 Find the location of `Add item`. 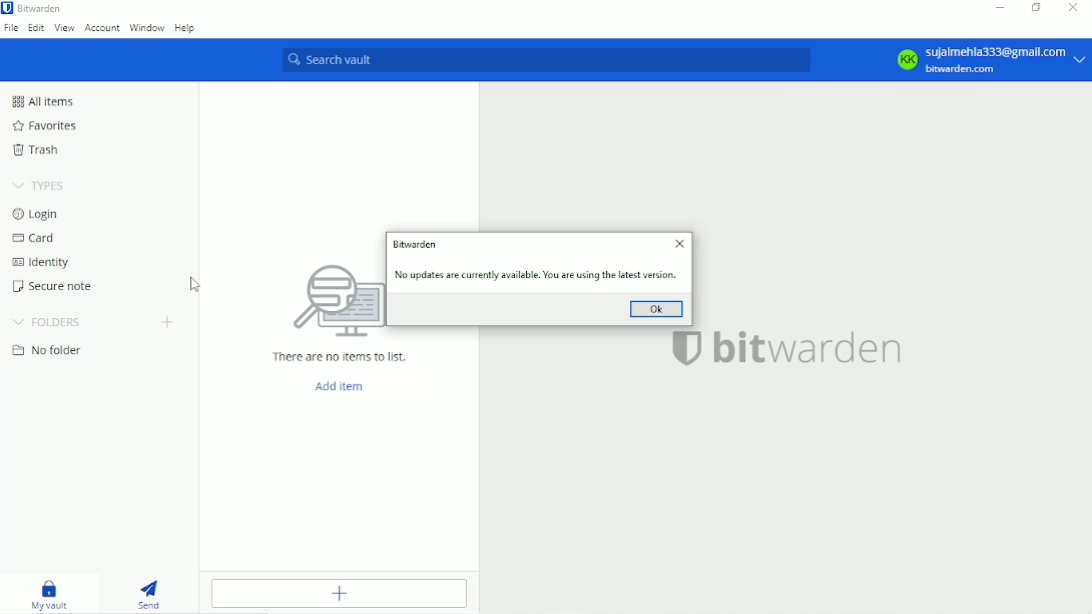

Add item is located at coordinates (341, 593).